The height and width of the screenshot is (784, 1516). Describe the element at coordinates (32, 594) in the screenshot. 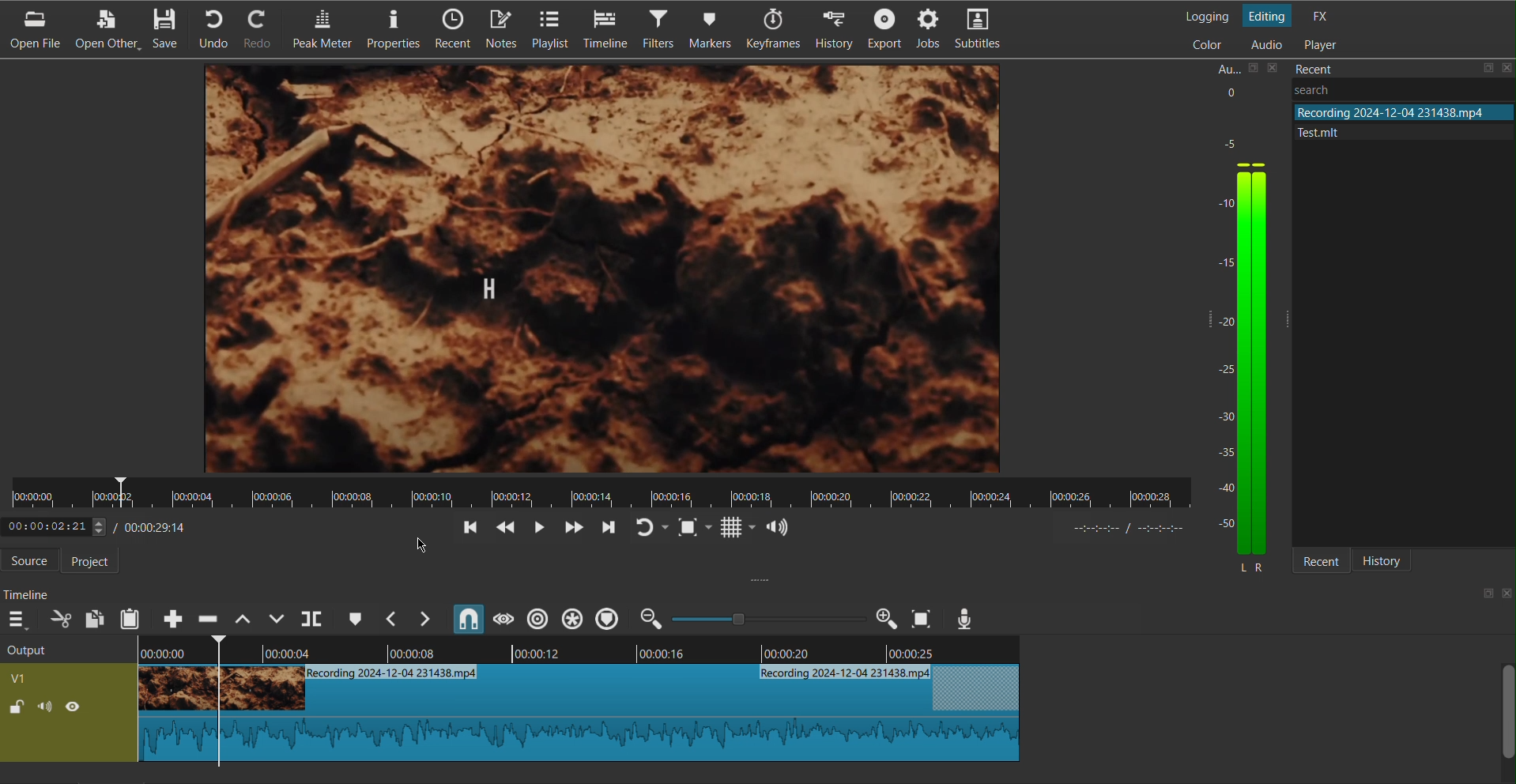

I see `Timeline ` at that location.